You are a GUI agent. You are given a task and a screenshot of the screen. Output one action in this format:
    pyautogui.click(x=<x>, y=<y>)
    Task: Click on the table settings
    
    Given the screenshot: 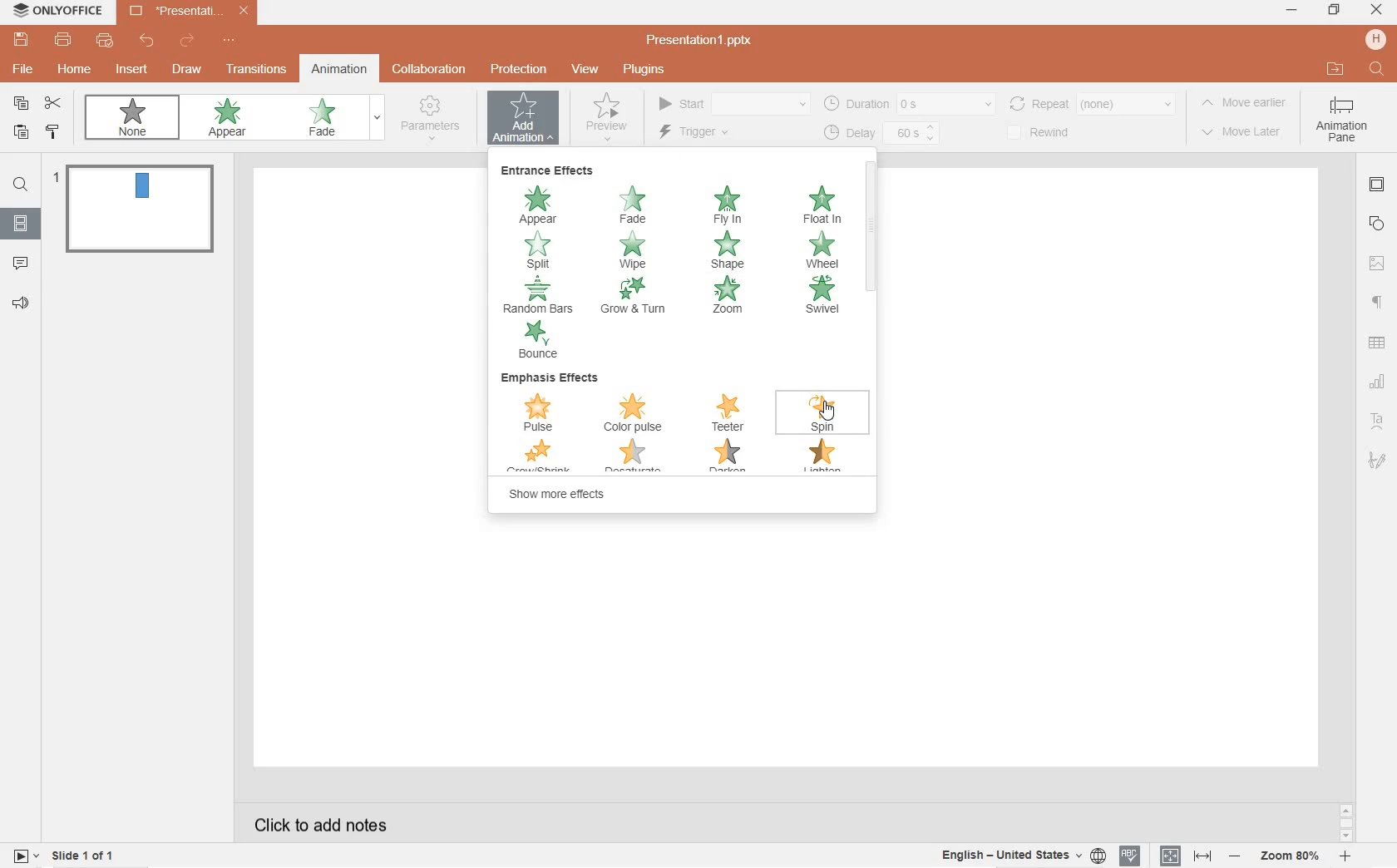 What is the action you would take?
    pyautogui.click(x=1379, y=343)
    